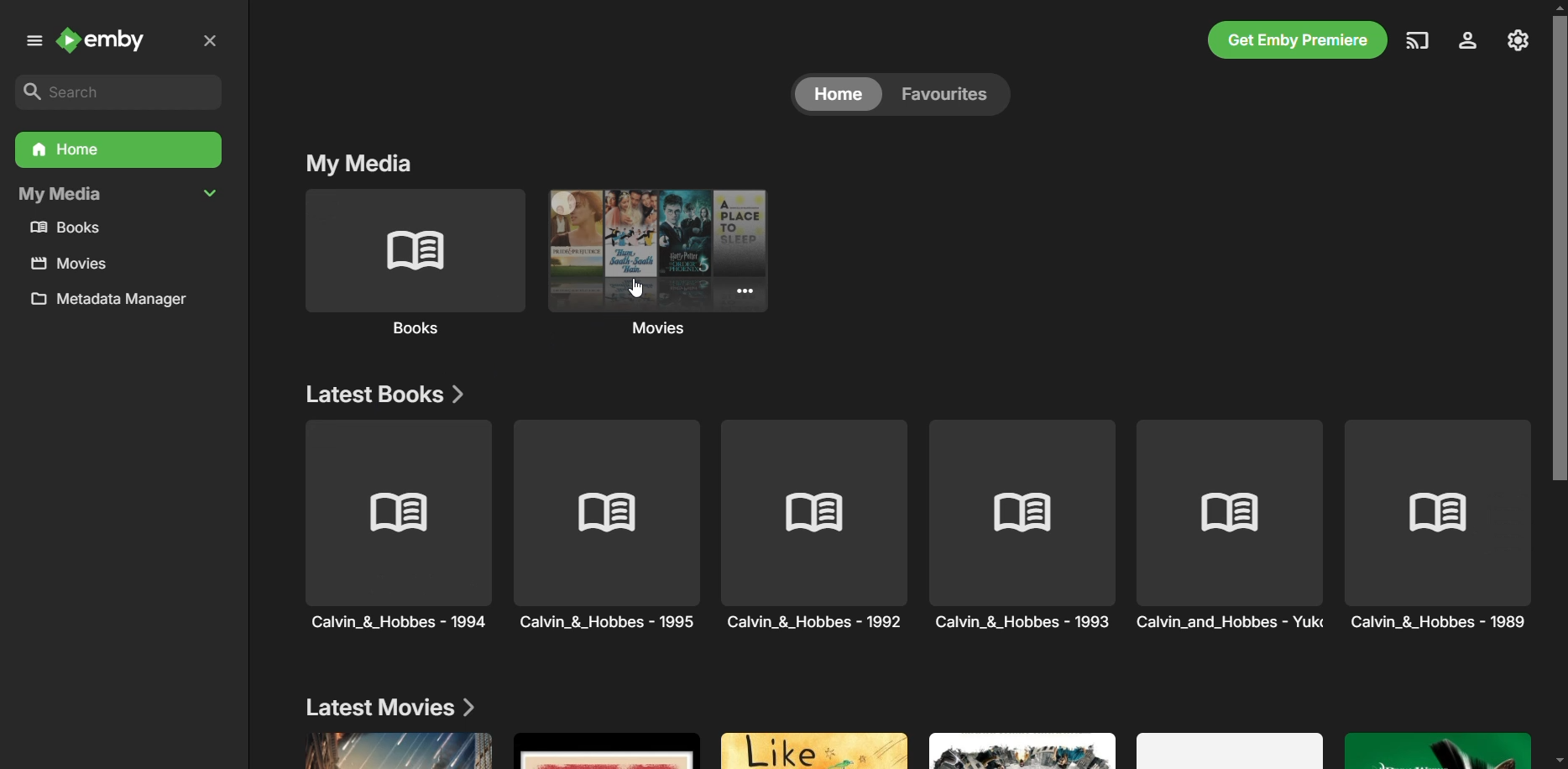  What do you see at coordinates (71, 264) in the screenshot?
I see `Movies` at bounding box center [71, 264].